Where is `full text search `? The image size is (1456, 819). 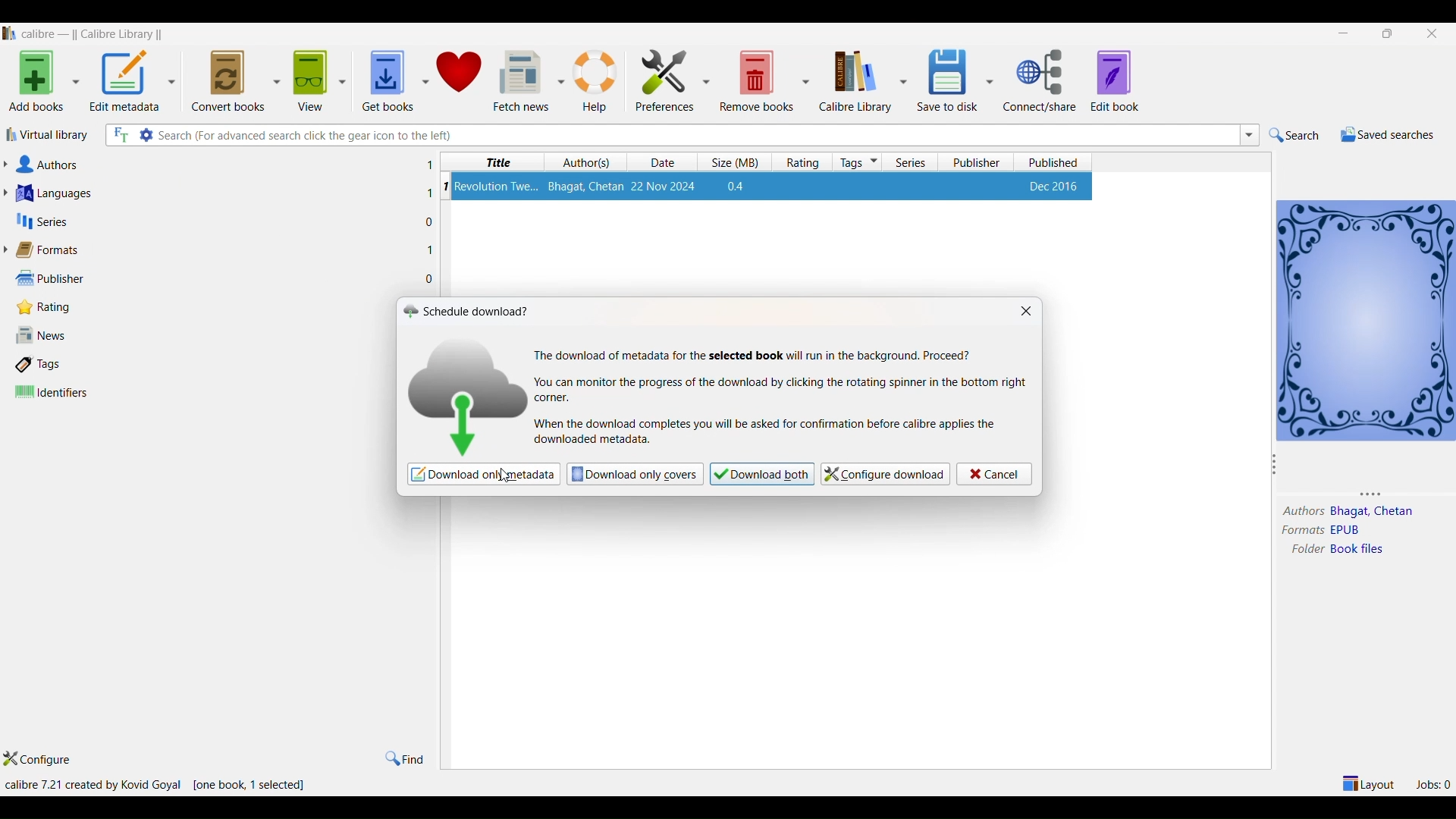
full text search  is located at coordinates (121, 136).